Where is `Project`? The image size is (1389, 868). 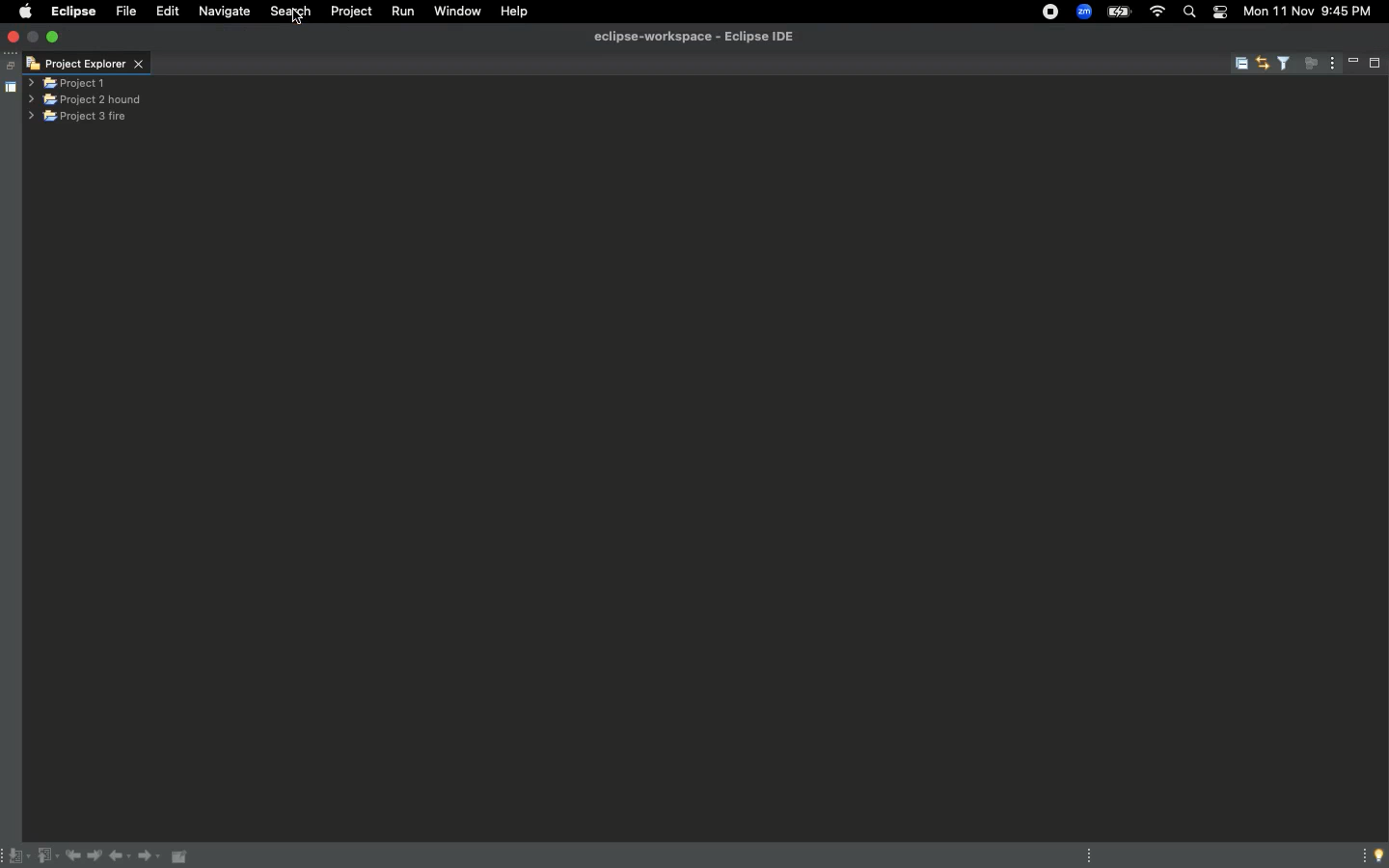
Project is located at coordinates (355, 12).